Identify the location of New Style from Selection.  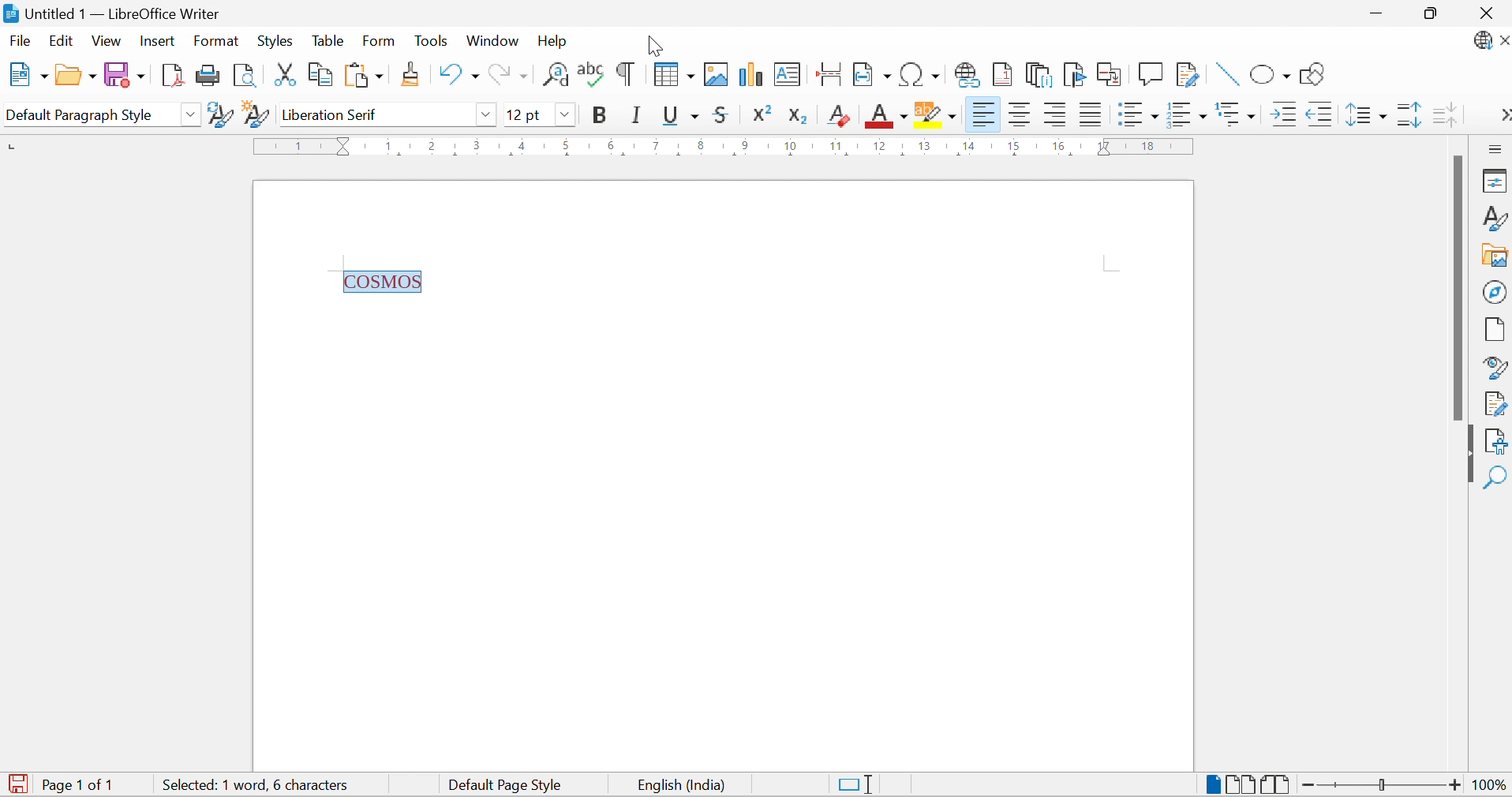
(256, 114).